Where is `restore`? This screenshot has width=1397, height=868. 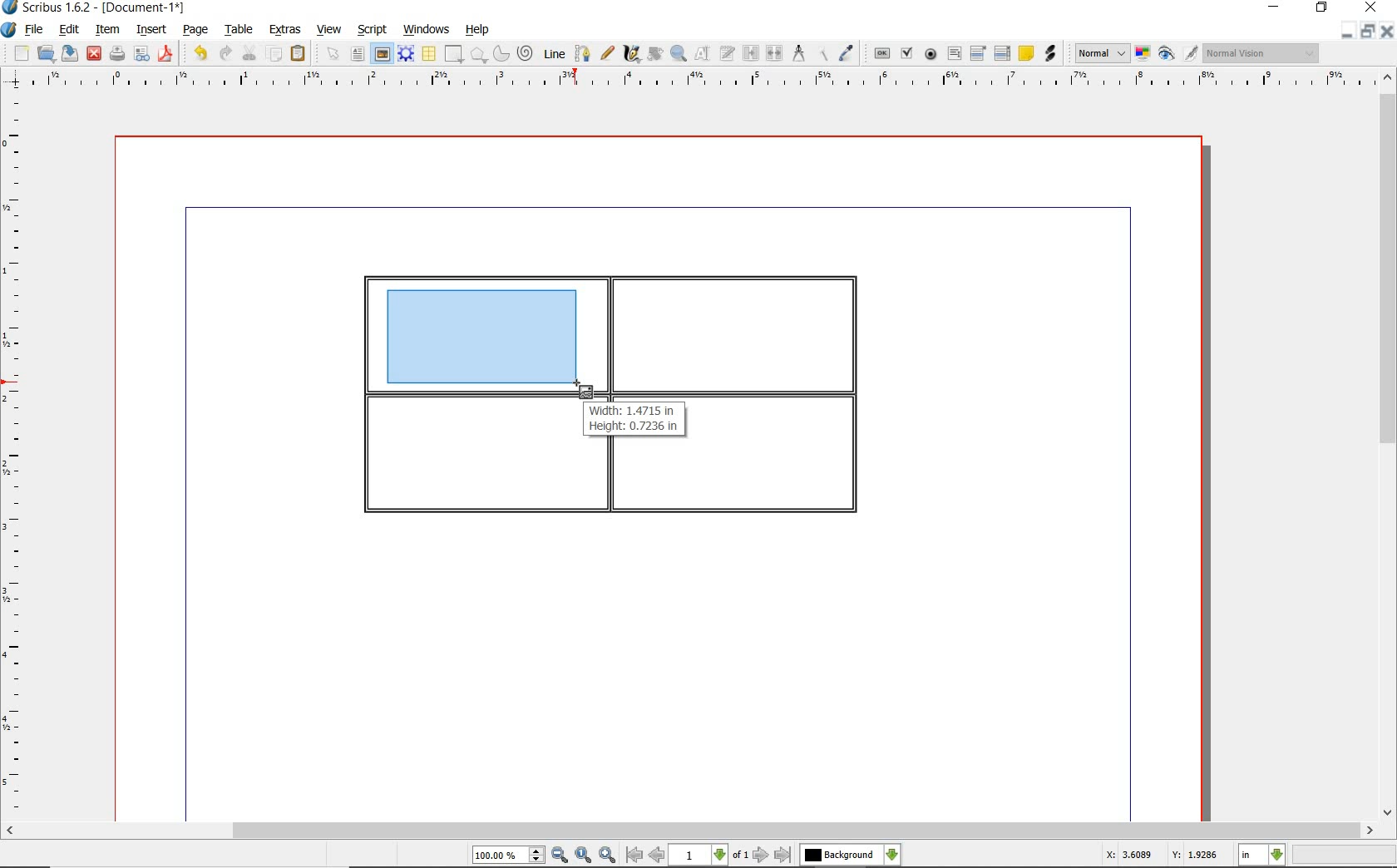 restore is located at coordinates (1366, 32).